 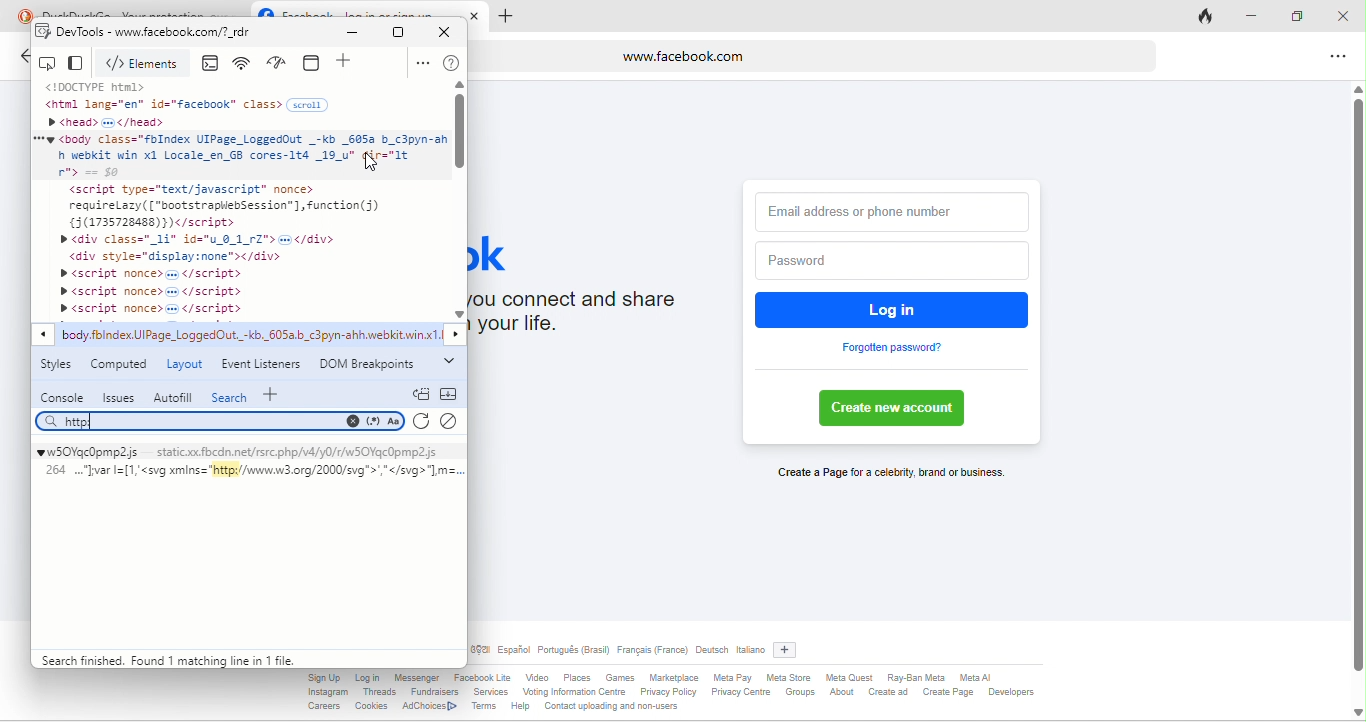 What do you see at coordinates (247, 476) in the screenshot?
I see `‘wwSO¥qcpmp2js  static:ocfbednnet/rsrcphp/vd/y0/rwSO¥acOpmp2js
264 var <1 <svg xin" own 3 org 2000/ sug>", </svg> m=` at bounding box center [247, 476].